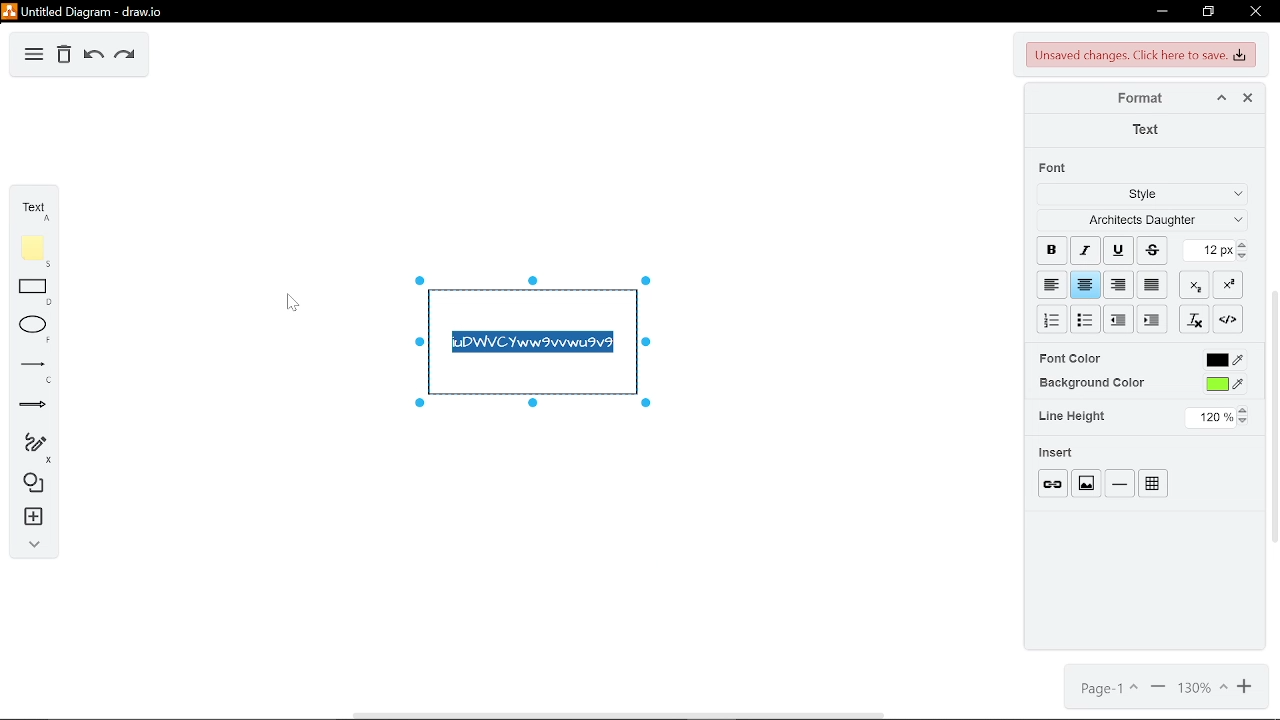 Image resolution: width=1280 pixels, height=720 pixels. I want to click on lines, so click(27, 368).